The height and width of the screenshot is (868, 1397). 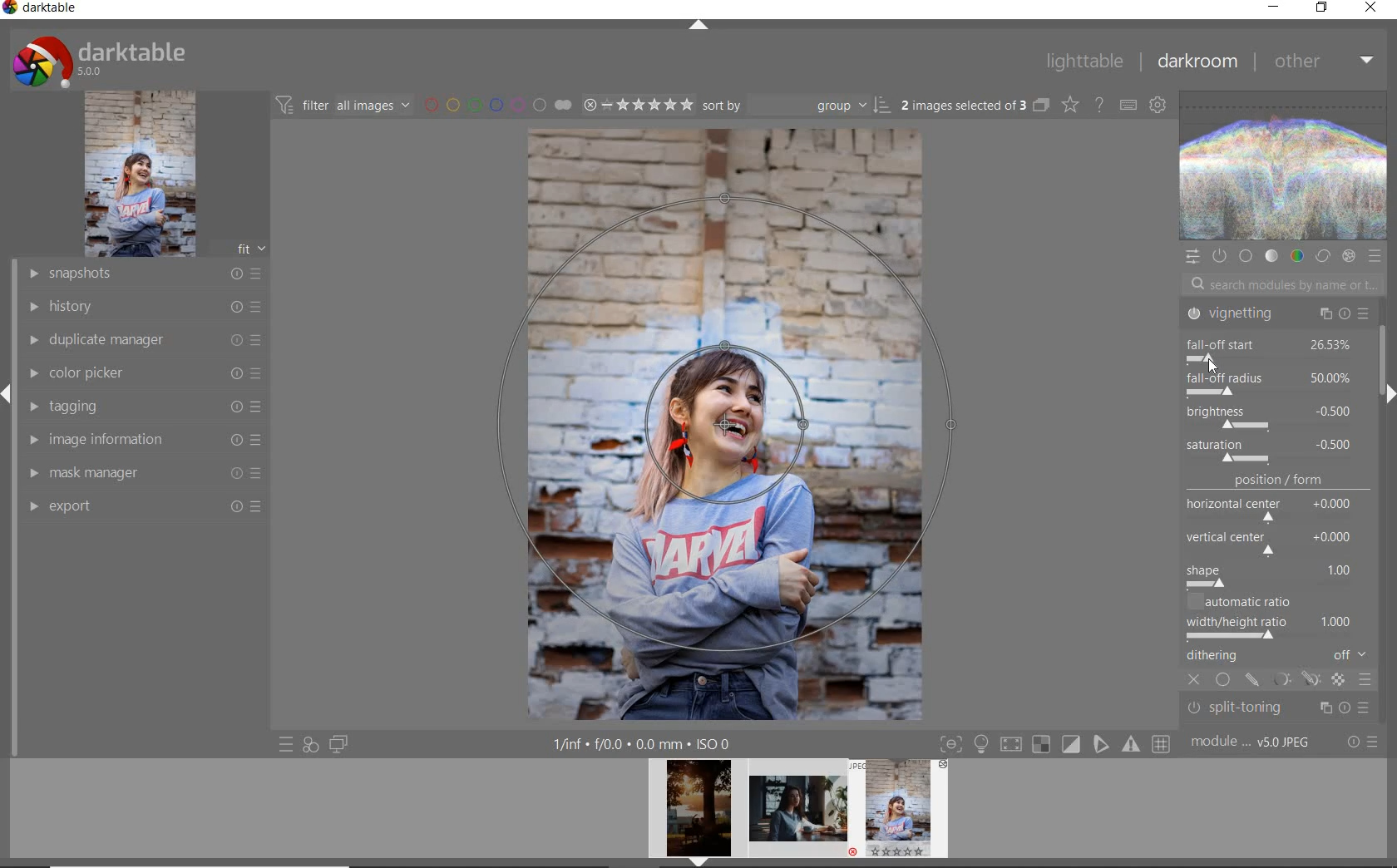 I want to click on ratio, so click(x=1281, y=618).